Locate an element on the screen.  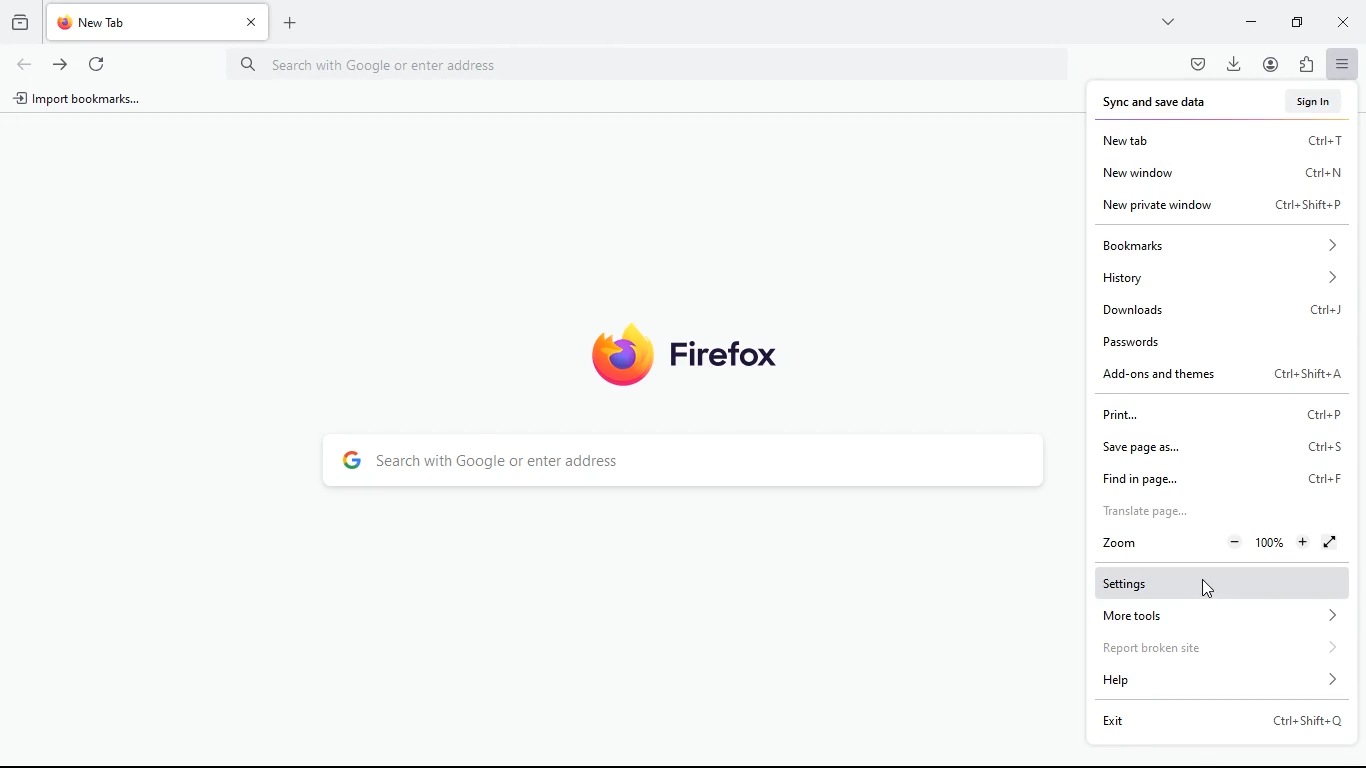
history is located at coordinates (19, 26).